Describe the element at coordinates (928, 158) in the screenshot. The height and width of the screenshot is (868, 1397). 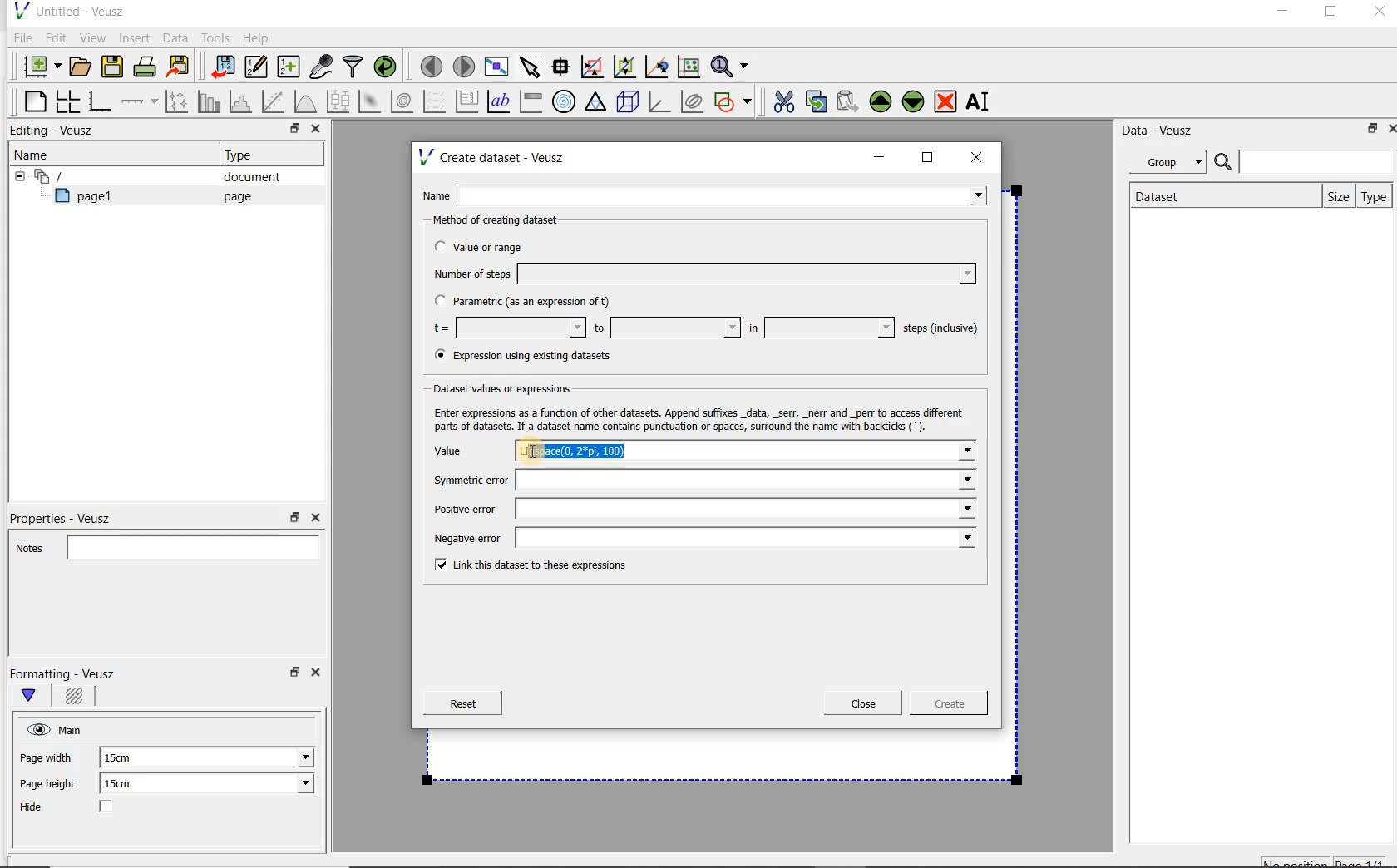
I see `maximize` at that location.